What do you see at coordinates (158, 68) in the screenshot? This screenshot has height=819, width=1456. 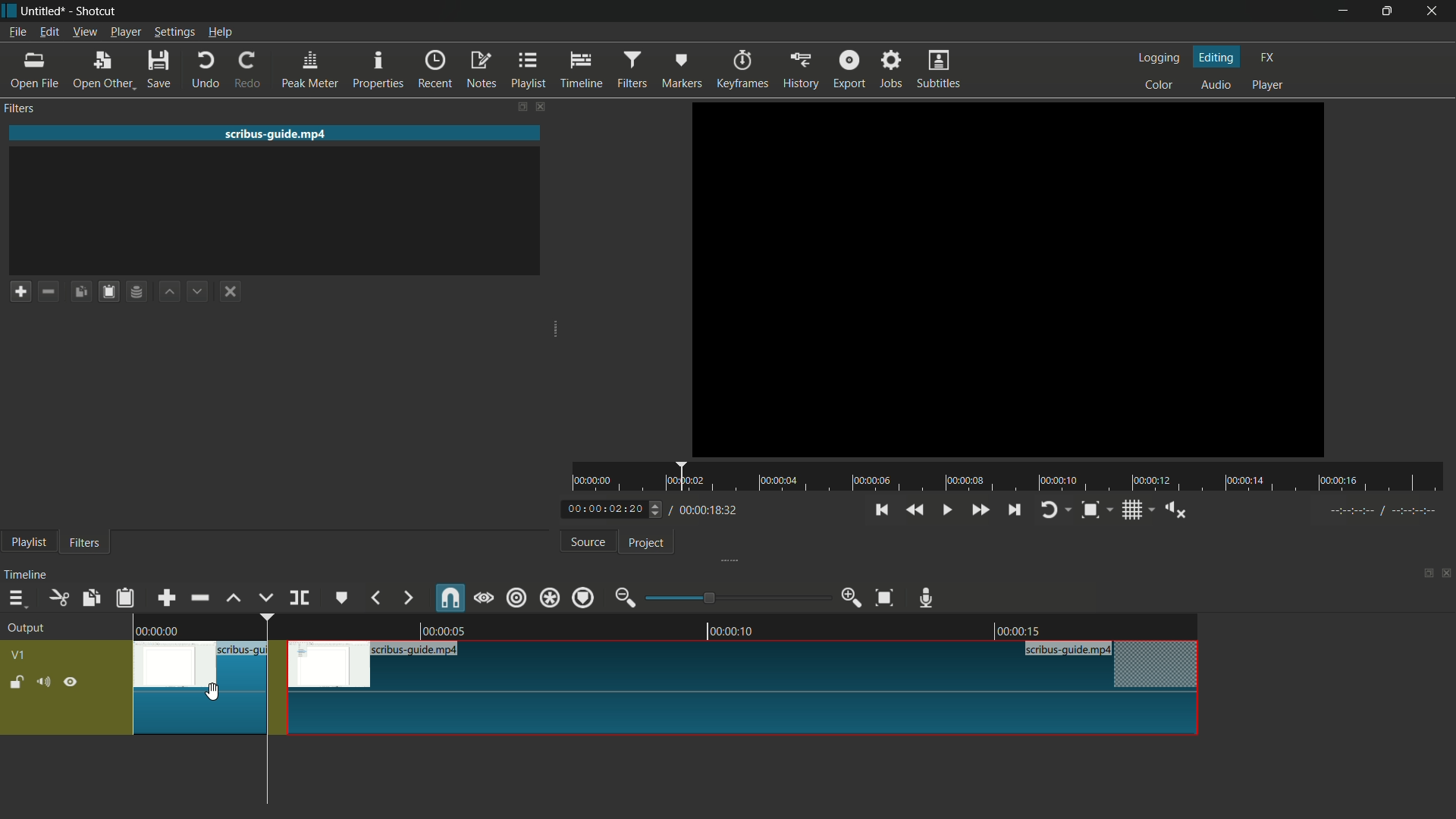 I see `save` at bounding box center [158, 68].